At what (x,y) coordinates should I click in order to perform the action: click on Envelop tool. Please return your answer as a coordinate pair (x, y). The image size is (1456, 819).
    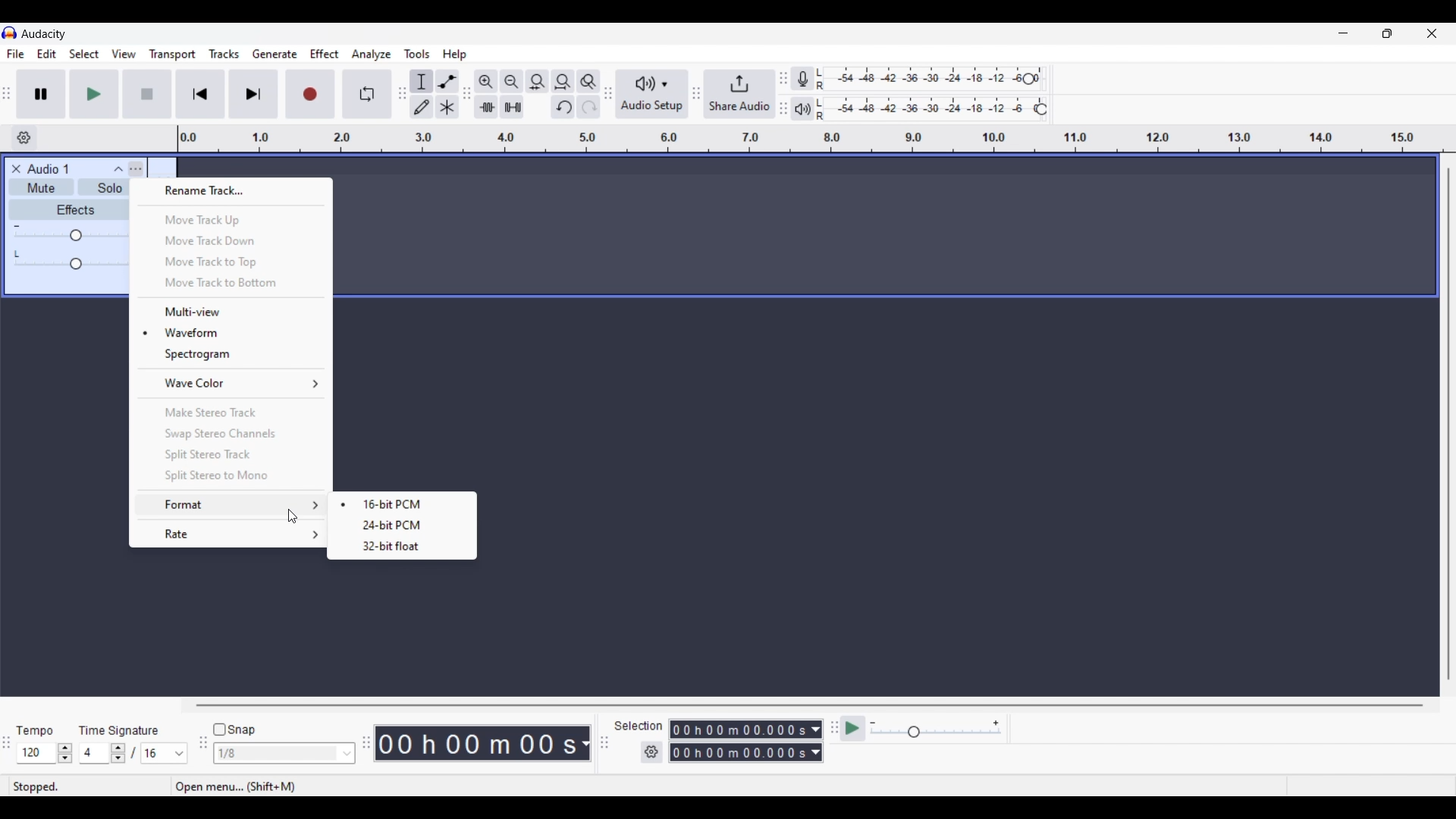
    Looking at the image, I should click on (447, 81).